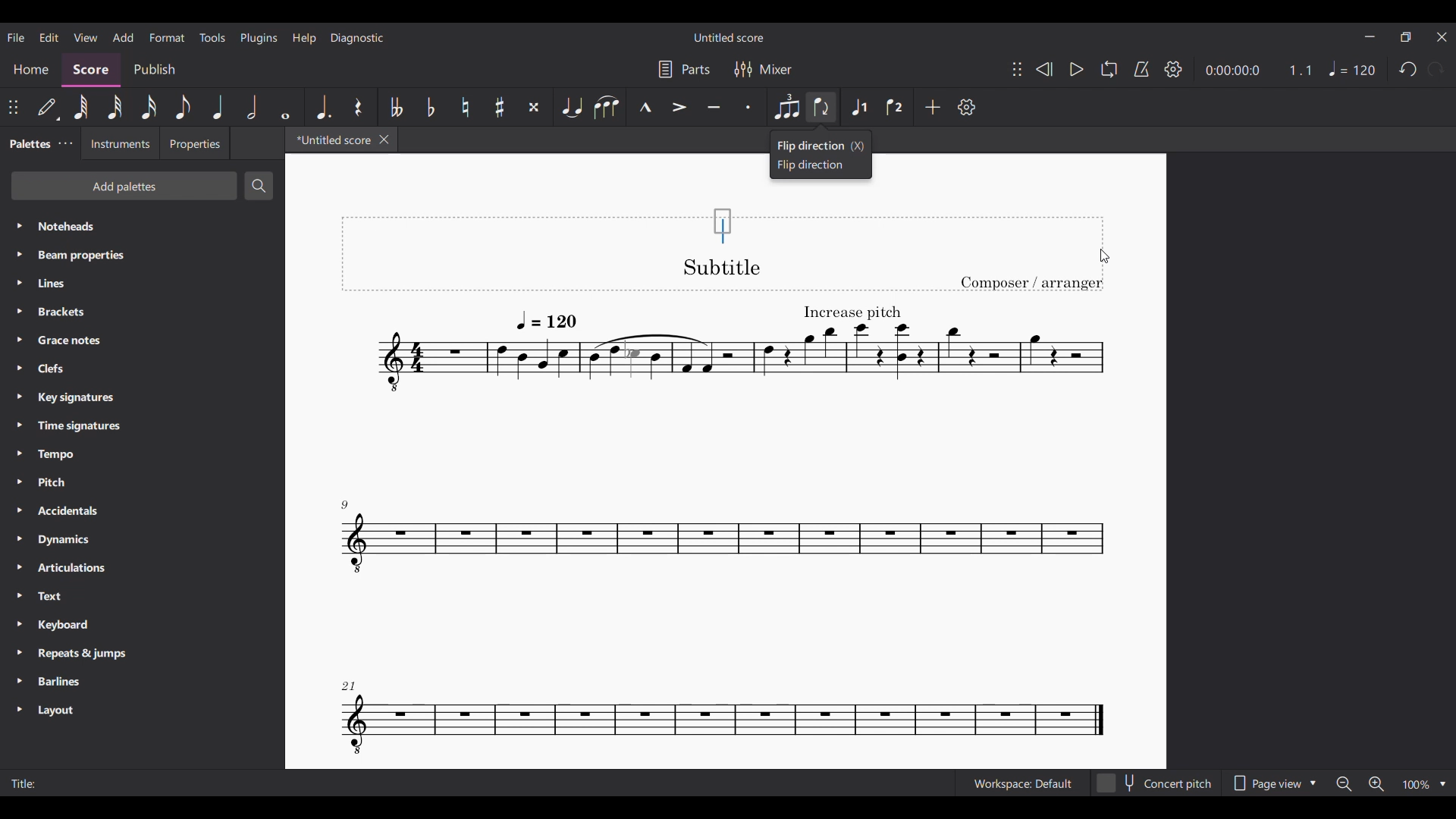 The image size is (1456, 819). Describe the element at coordinates (142, 425) in the screenshot. I see `Time signatures` at that location.